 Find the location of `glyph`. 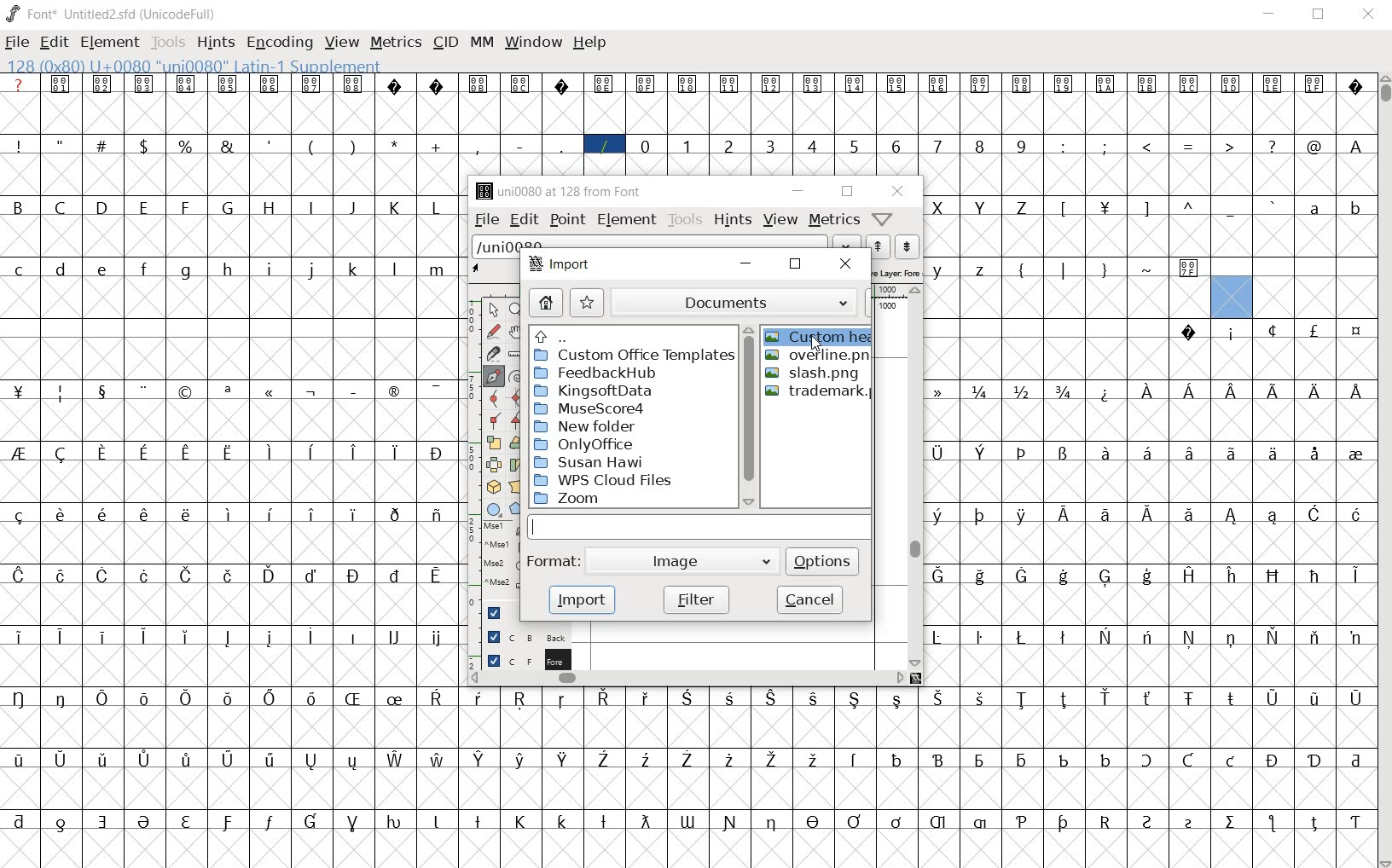

glyph is located at coordinates (20, 637).